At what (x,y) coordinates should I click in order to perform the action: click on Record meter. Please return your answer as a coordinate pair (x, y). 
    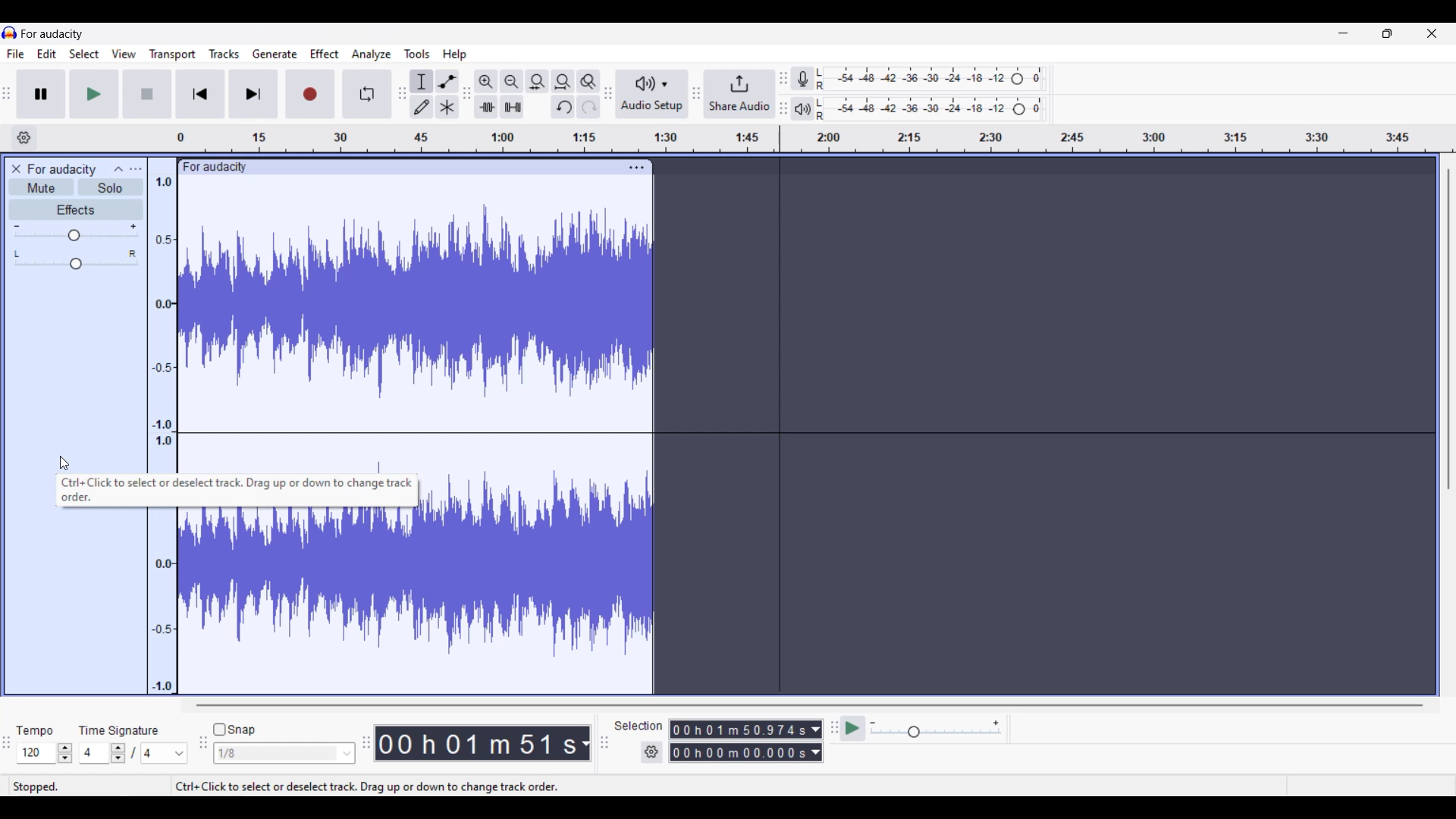
    Looking at the image, I should click on (802, 78).